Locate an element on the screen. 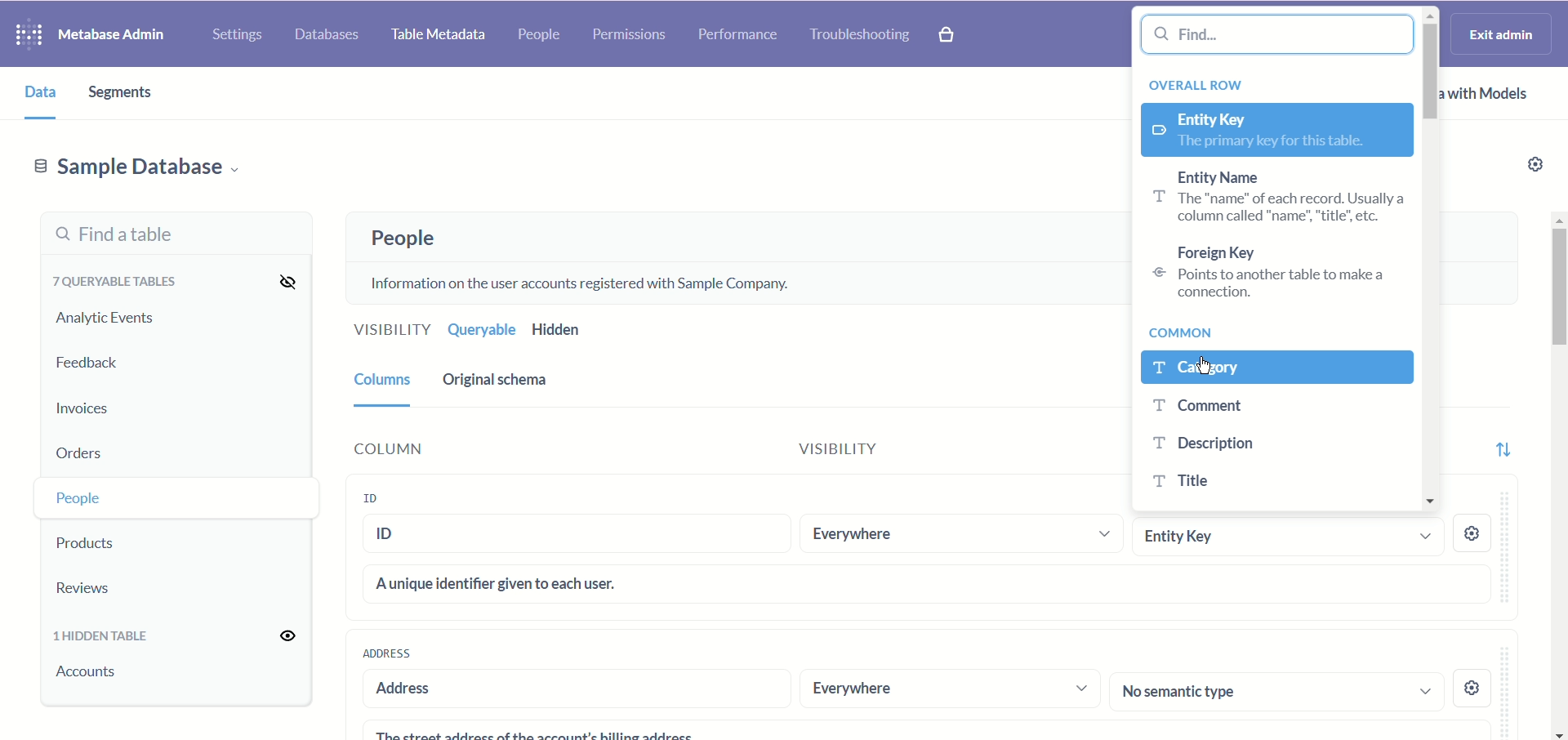 The image size is (1568, 740). column is located at coordinates (443, 448).